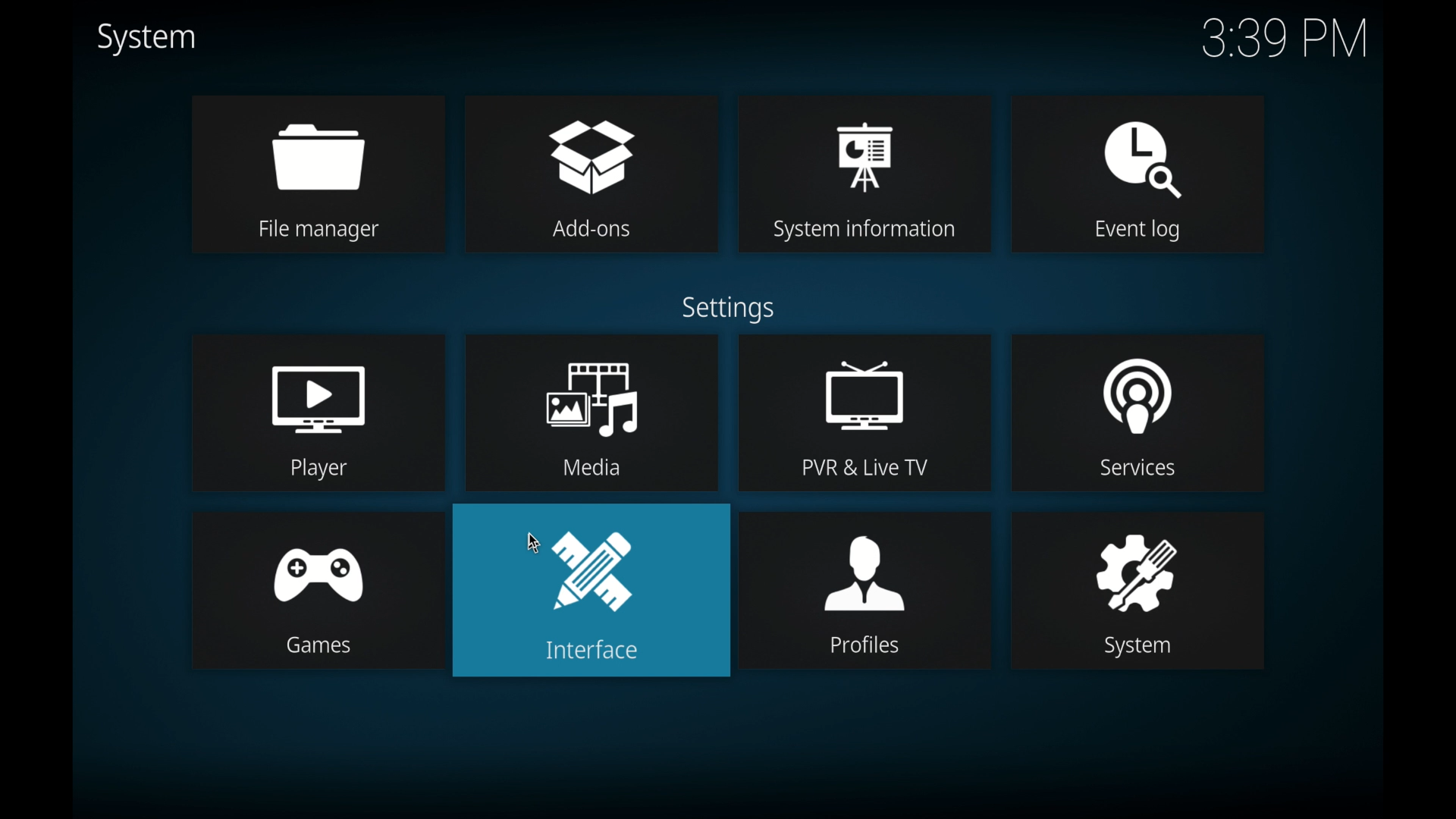  What do you see at coordinates (1138, 174) in the screenshot?
I see `event log` at bounding box center [1138, 174].